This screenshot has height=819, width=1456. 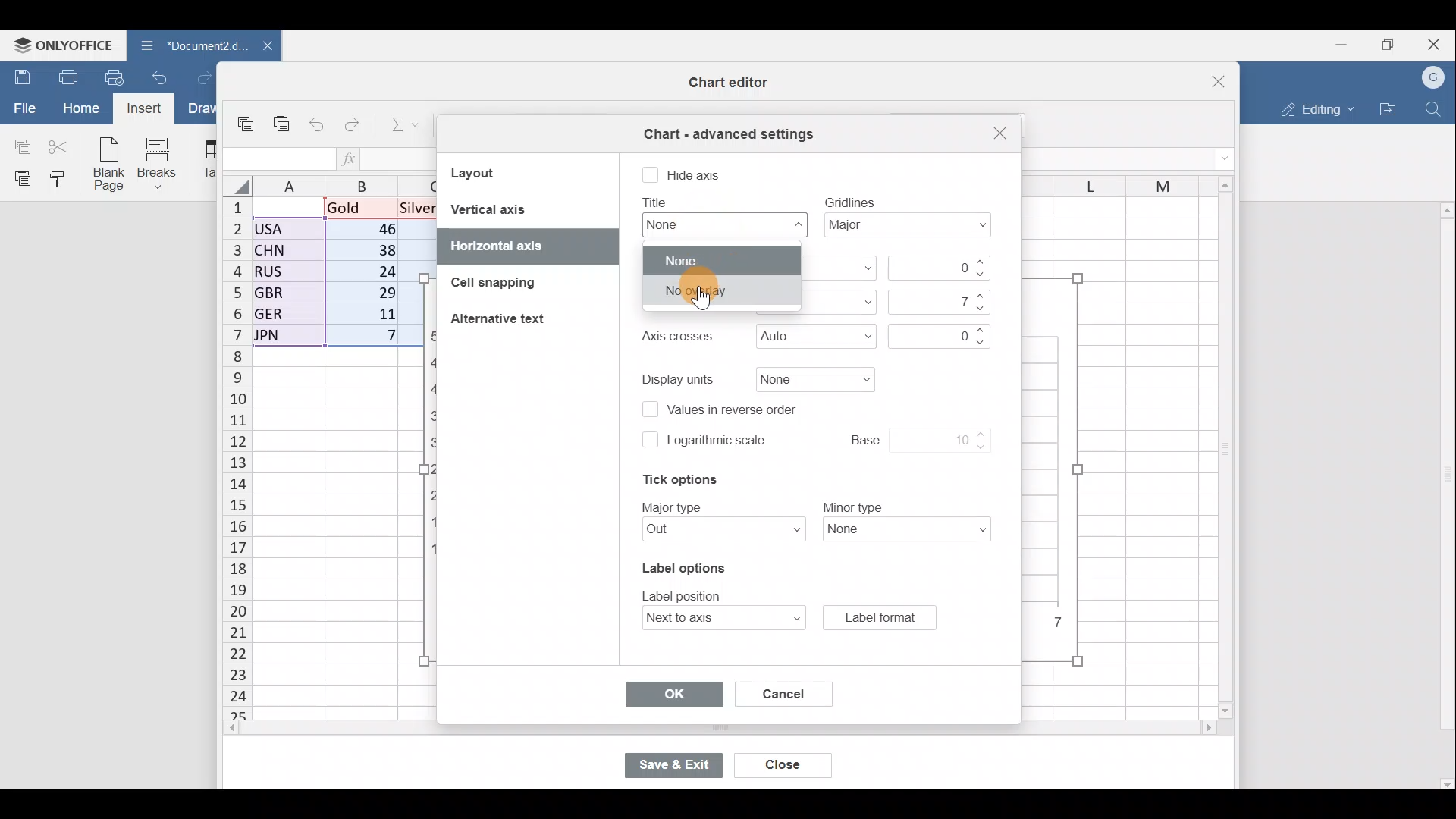 I want to click on File, so click(x=23, y=108).